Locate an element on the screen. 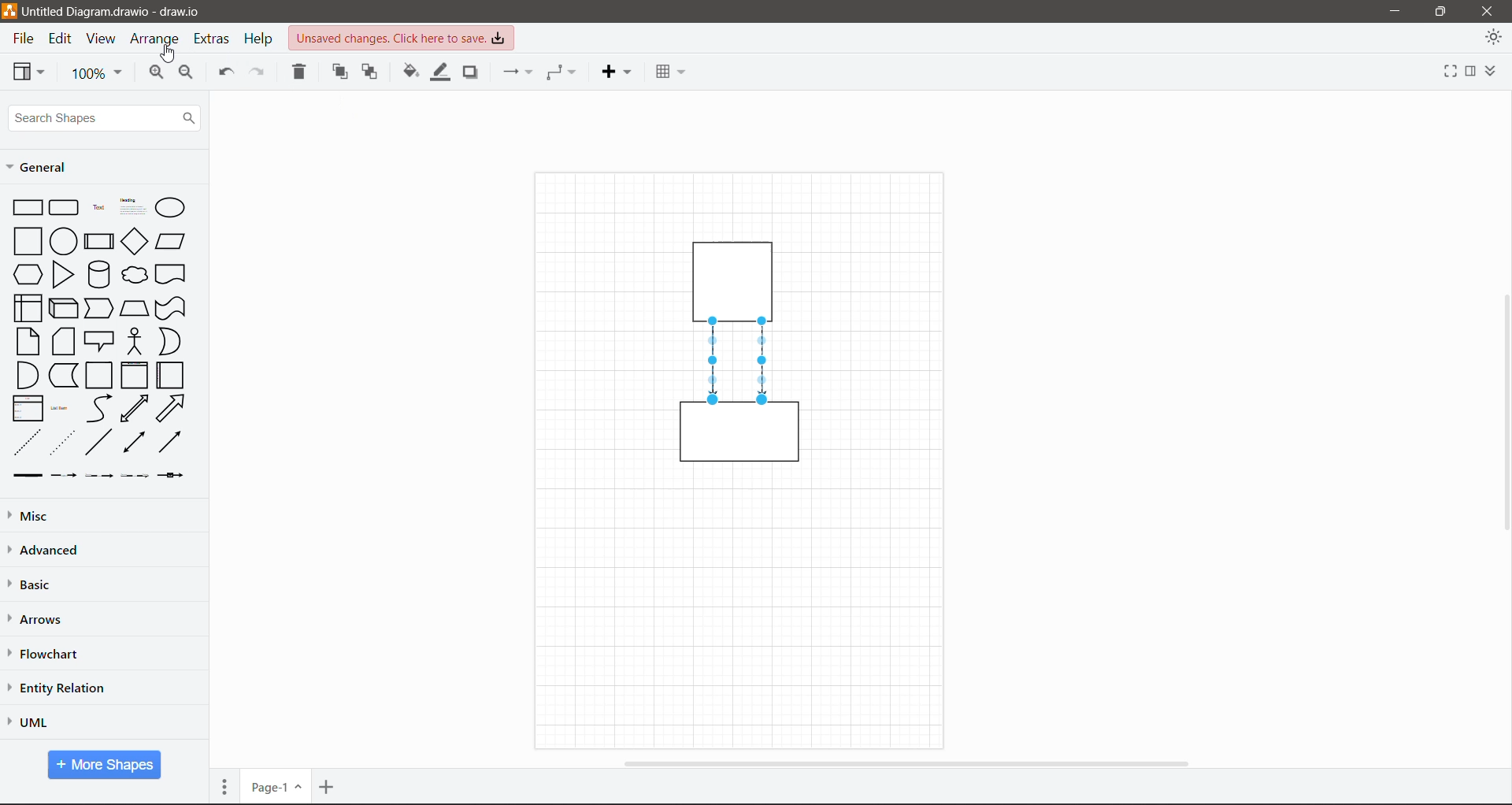 Image resolution: width=1512 pixels, height=805 pixels. Zoom is located at coordinates (97, 74).